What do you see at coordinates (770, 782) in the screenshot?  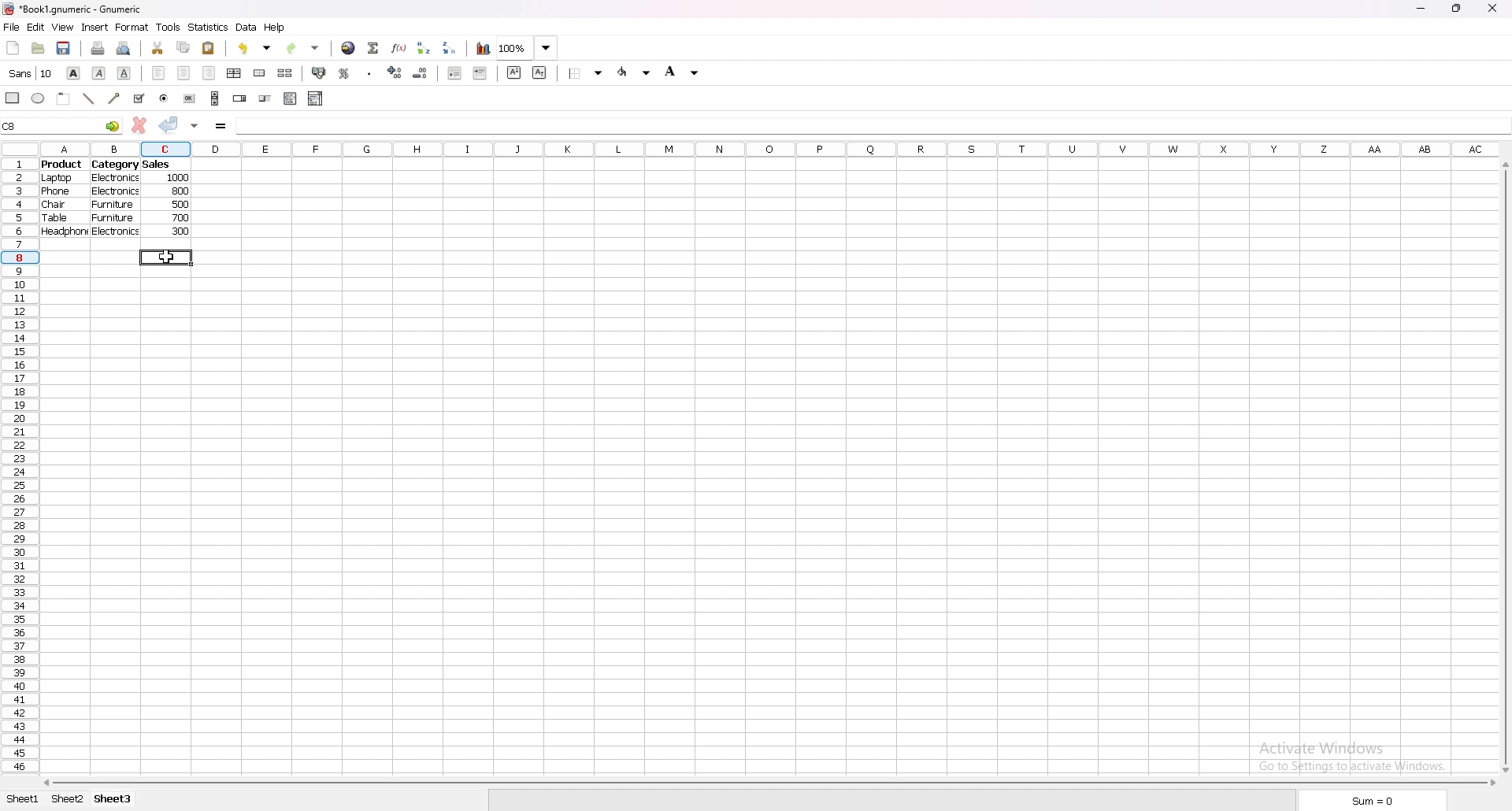 I see `scroll bar` at bounding box center [770, 782].